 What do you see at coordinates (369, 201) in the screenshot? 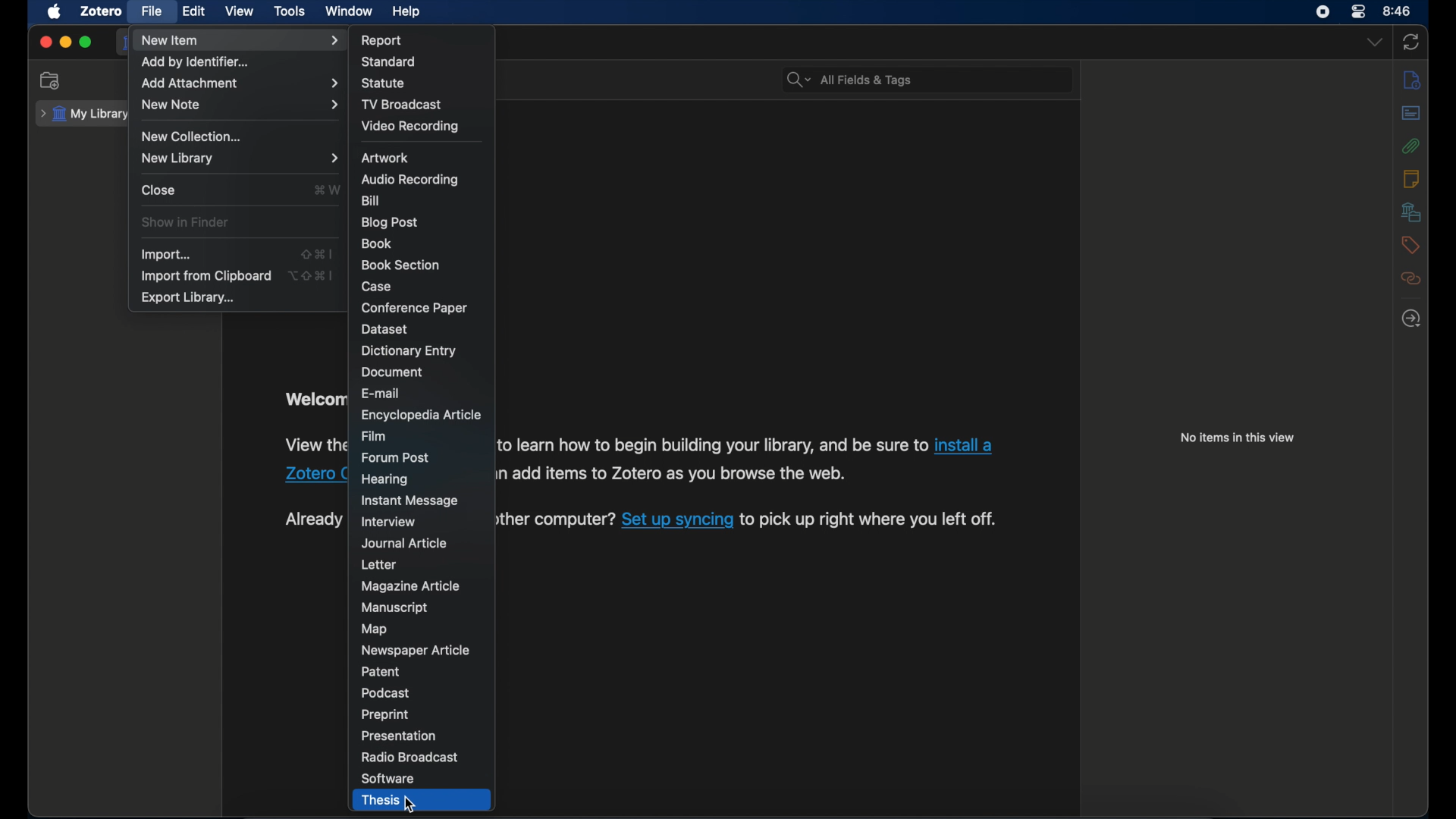
I see `bill` at bounding box center [369, 201].